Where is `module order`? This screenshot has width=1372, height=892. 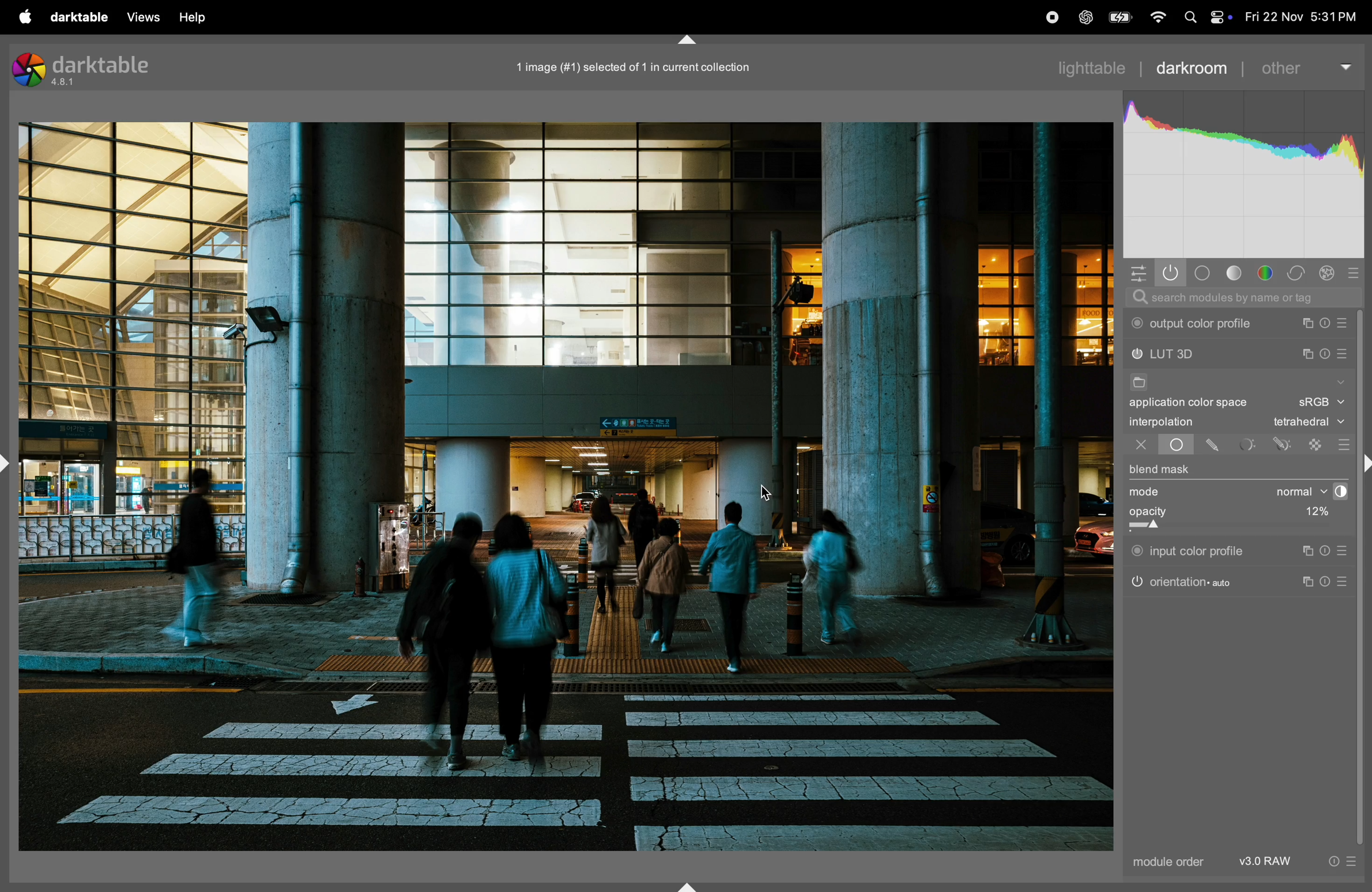 module order is located at coordinates (1165, 863).